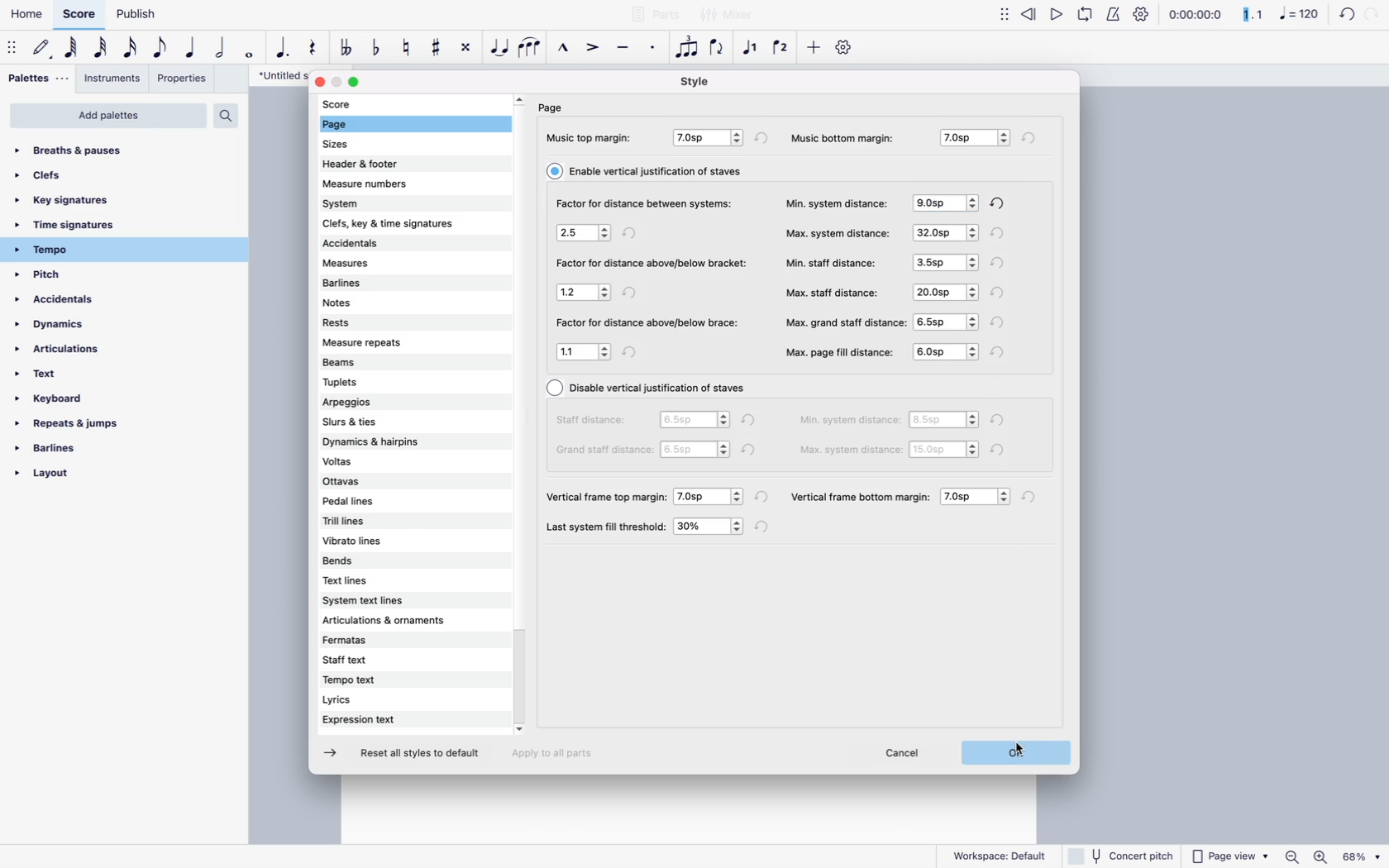 This screenshot has height=868, width=1389. I want to click on refresh, so click(764, 498).